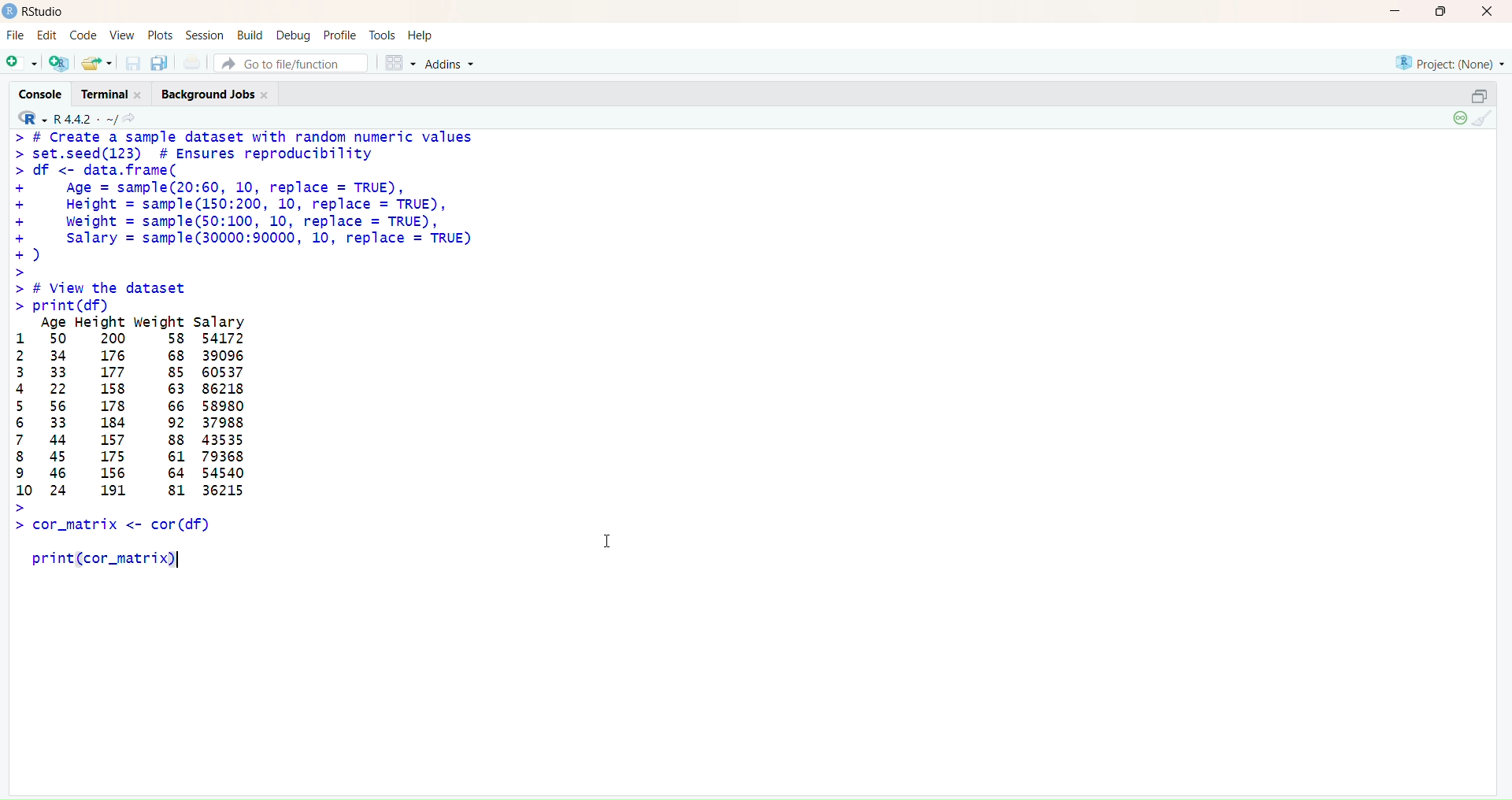 The width and height of the screenshot is (1512, 800). I want to click on Edit, so click(48, 36).